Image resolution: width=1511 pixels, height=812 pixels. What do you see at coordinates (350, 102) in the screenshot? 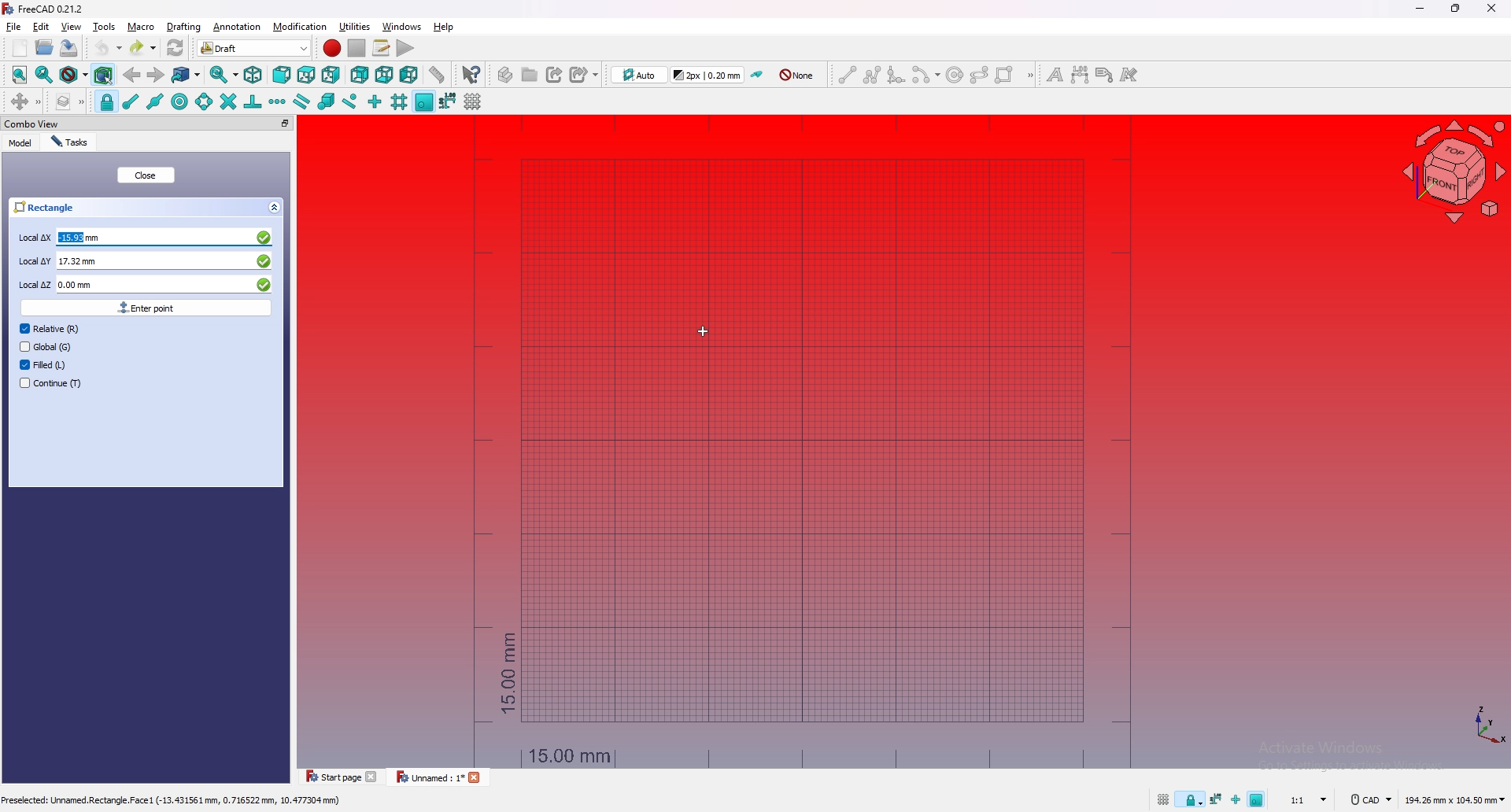
I see `snap near` at bounding box center [350, 102].